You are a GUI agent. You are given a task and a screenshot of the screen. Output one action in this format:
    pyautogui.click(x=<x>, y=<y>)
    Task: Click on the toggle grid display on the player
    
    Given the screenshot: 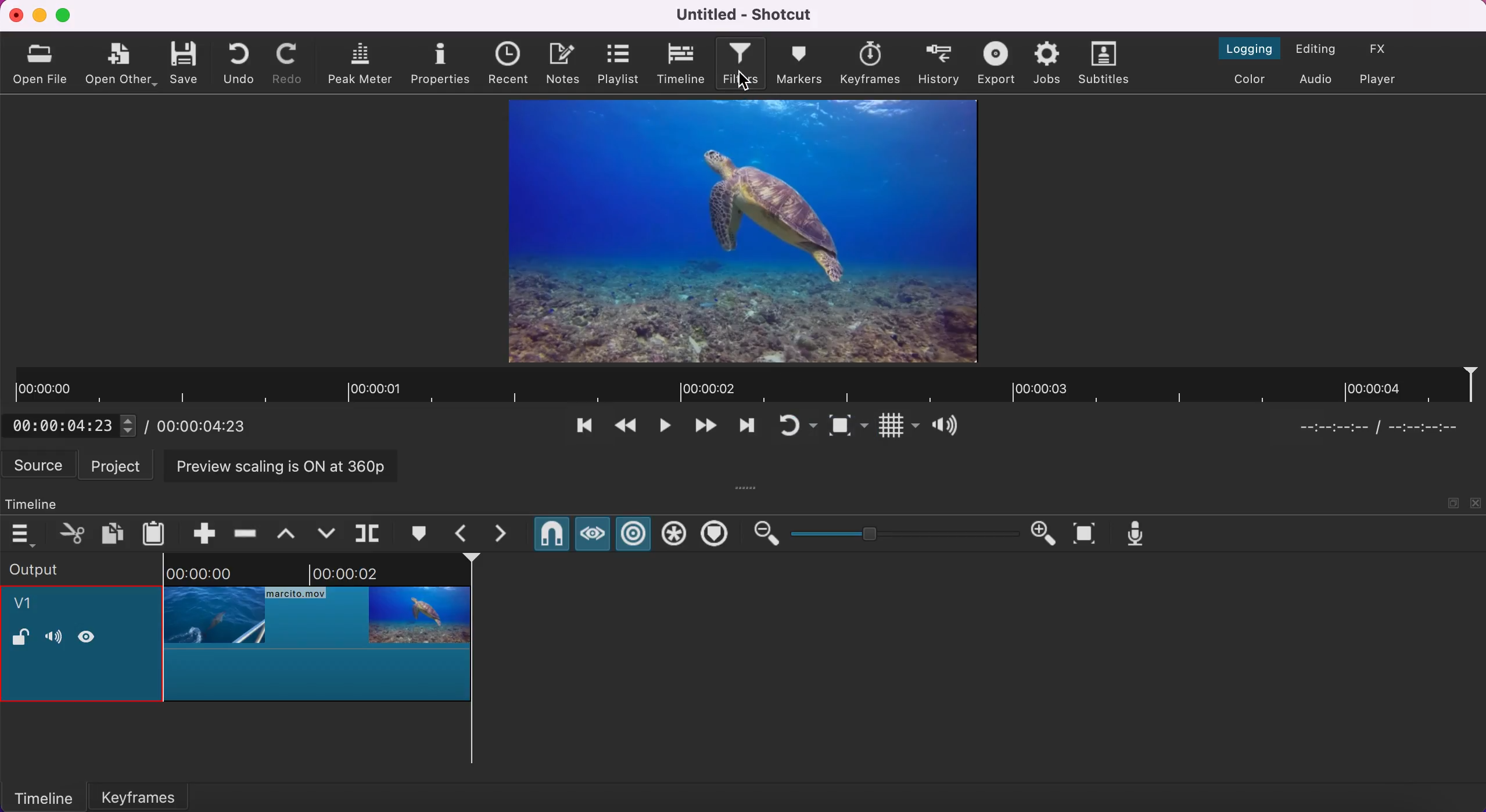 What is the action you would take?
    pyautogui.click(x=897, y=428)
    